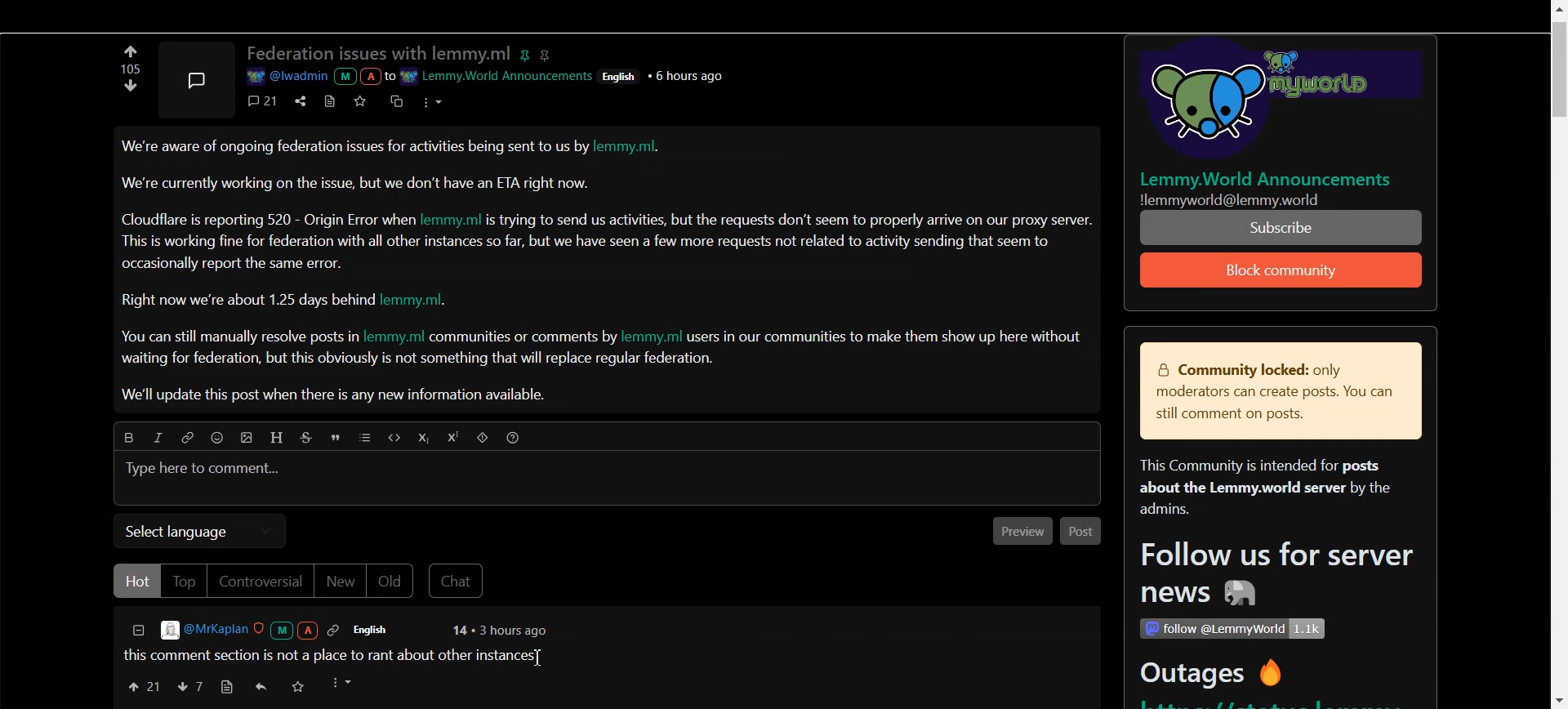  Describe the element at coordinates (1213, 676) in the screenshot. I see `Outages ®` at that location.